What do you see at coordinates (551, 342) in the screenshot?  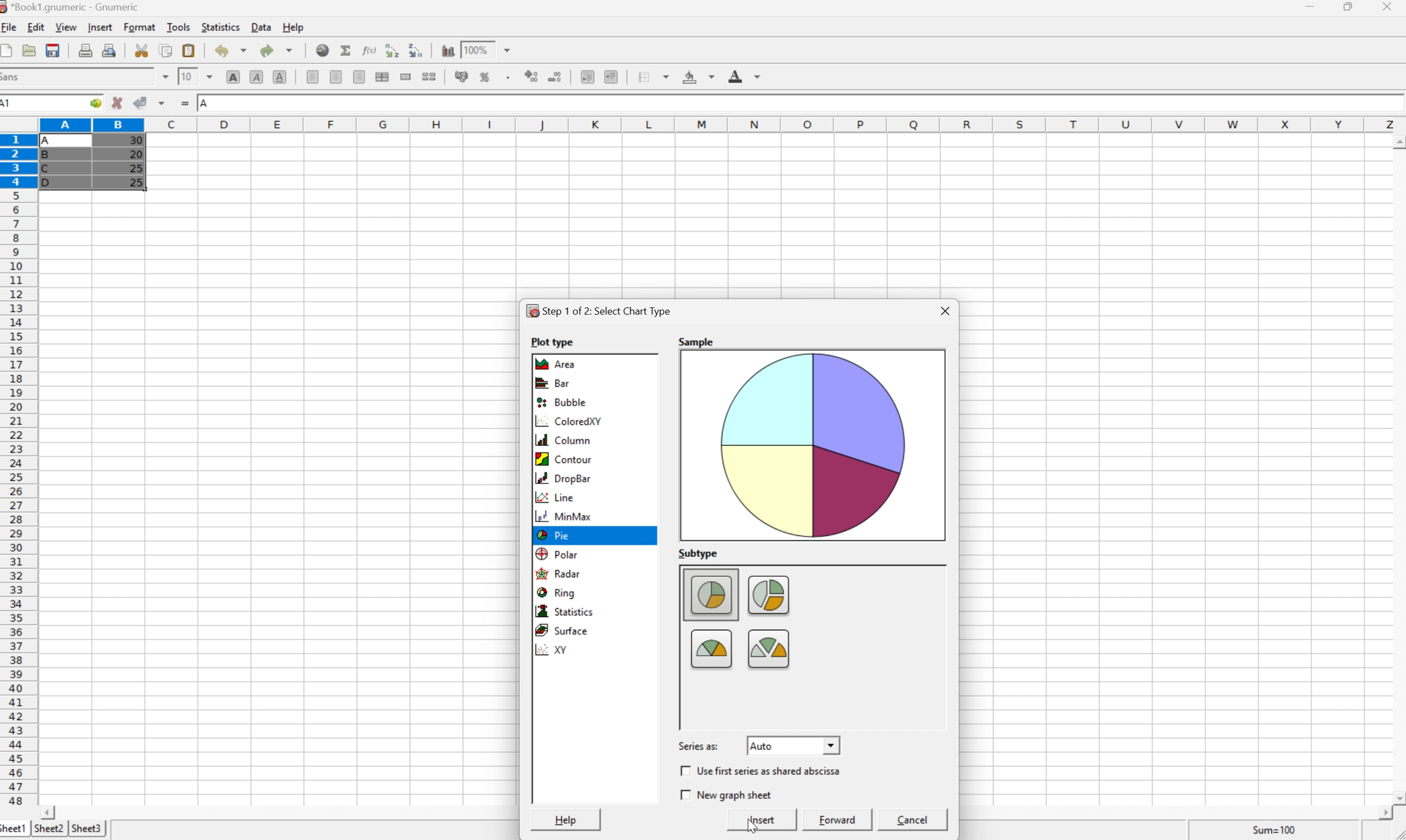 I see `Plot type` at bounding box center [551, 342].